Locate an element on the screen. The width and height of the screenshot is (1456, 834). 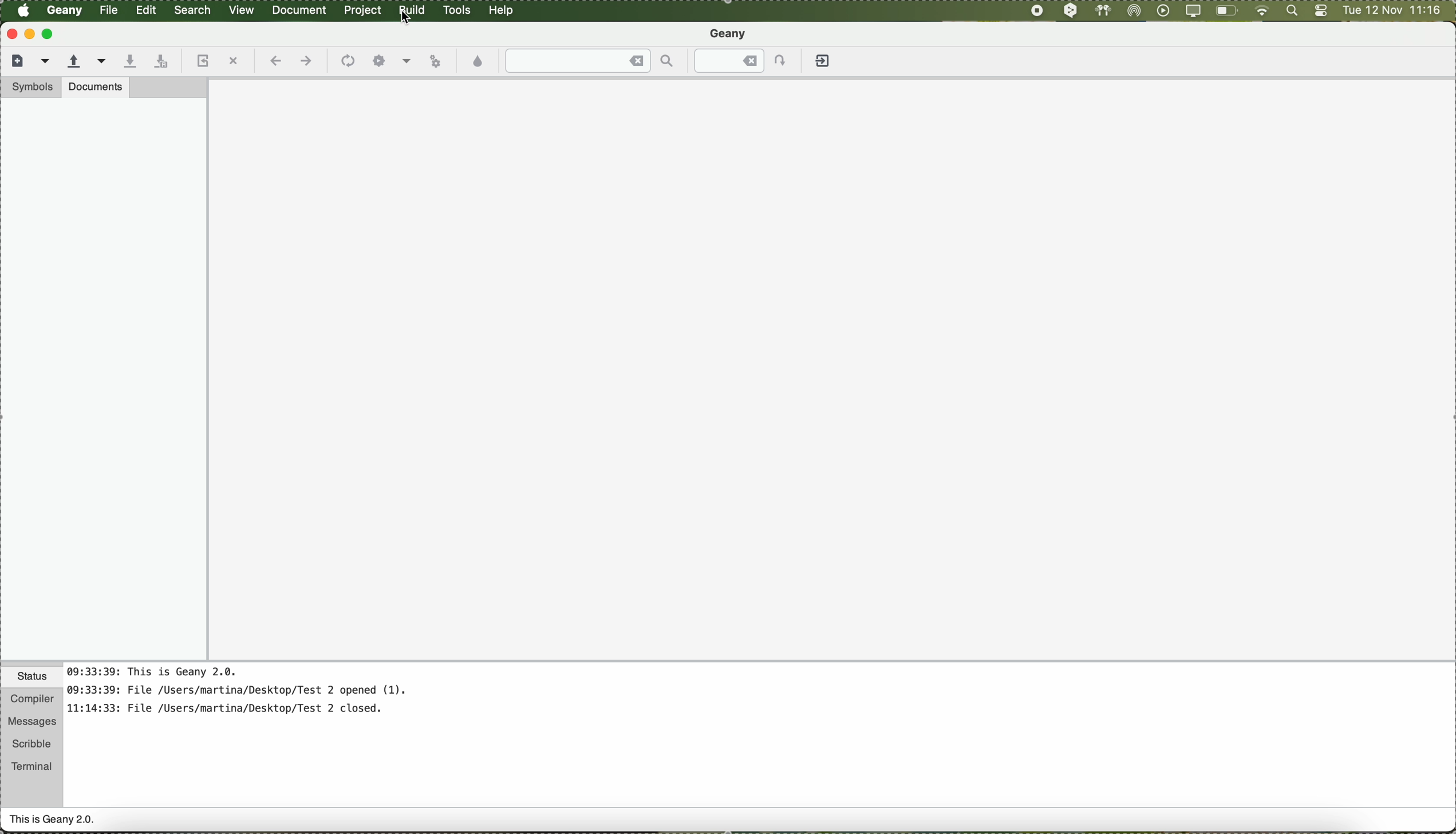
create a new file from a template is located at coordinates (47, 62).